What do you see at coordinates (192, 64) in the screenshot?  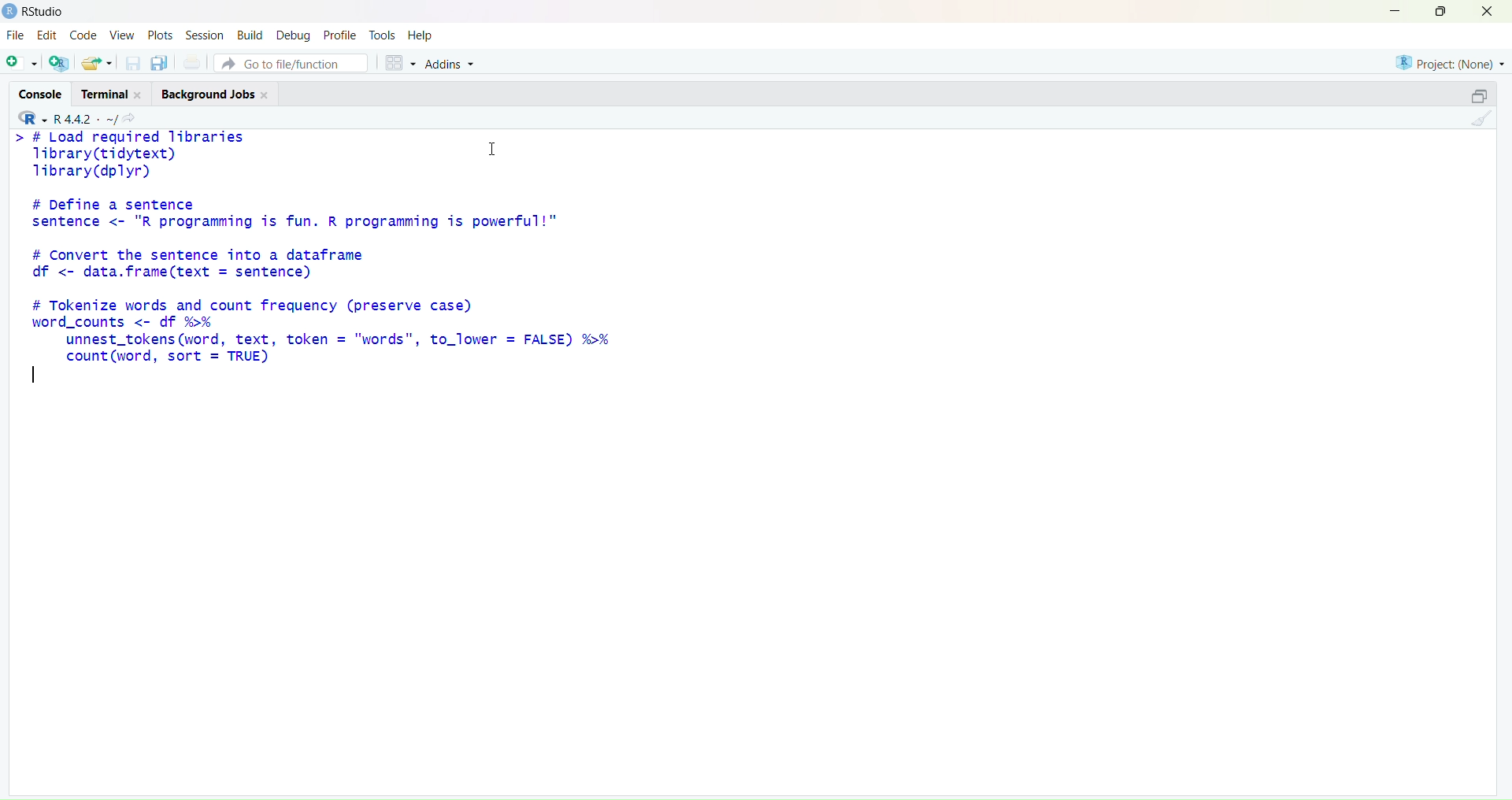 I see `print current file` at bounding box center [192, 64].